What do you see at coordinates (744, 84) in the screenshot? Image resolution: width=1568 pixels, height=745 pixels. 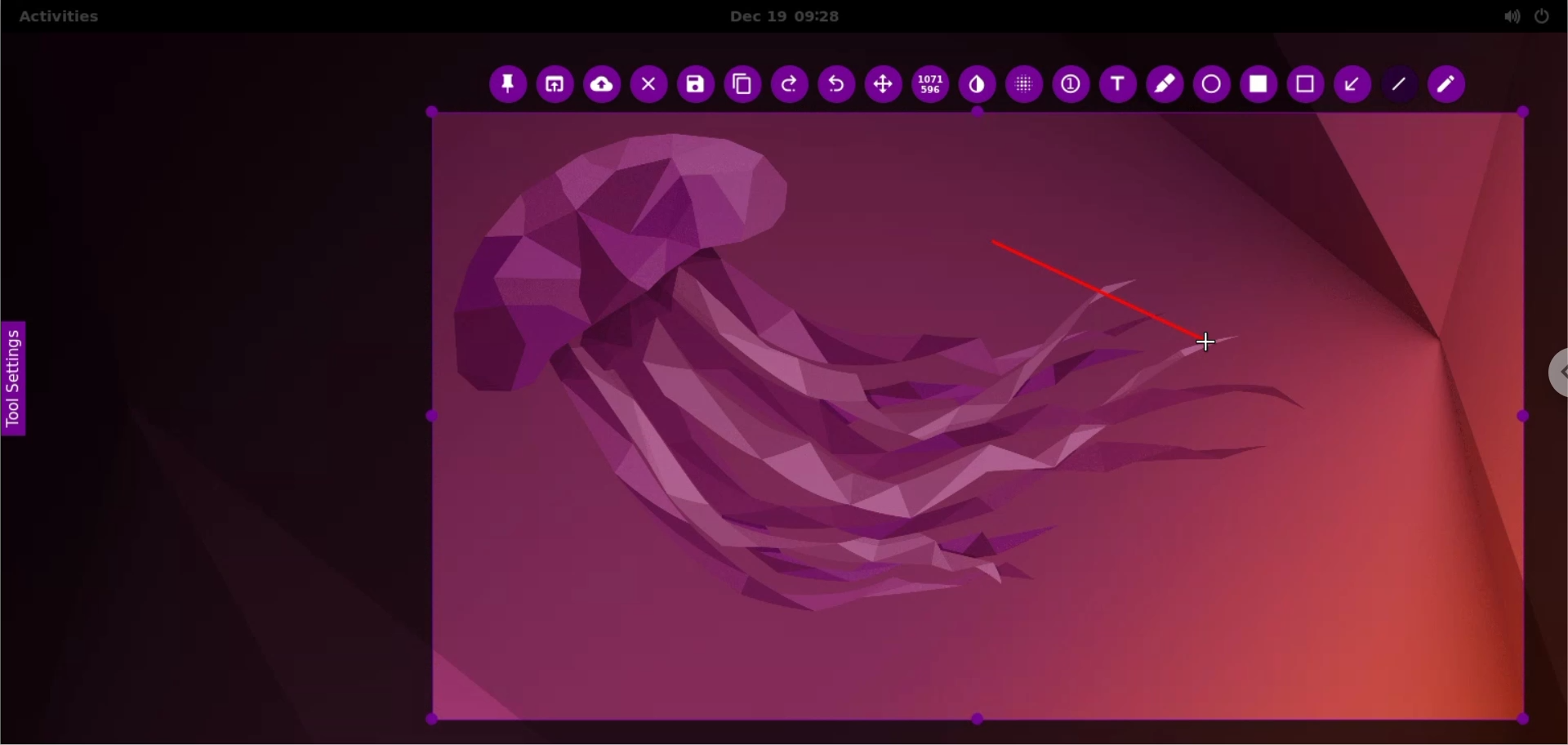 I see `copy to clipboard ` at bounding box center [744, 84].